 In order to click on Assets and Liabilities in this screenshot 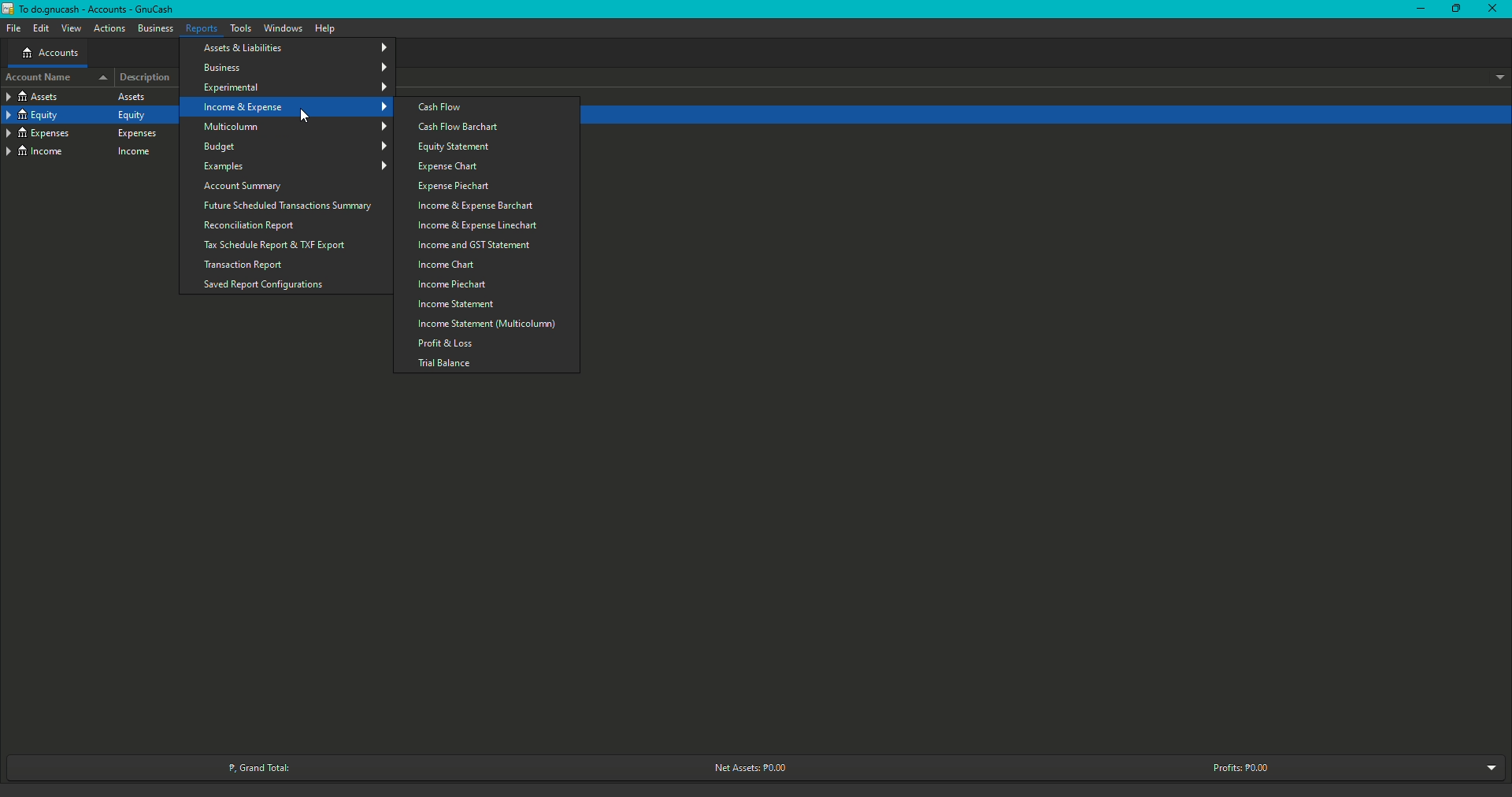, I will do `click(297, 47)`.